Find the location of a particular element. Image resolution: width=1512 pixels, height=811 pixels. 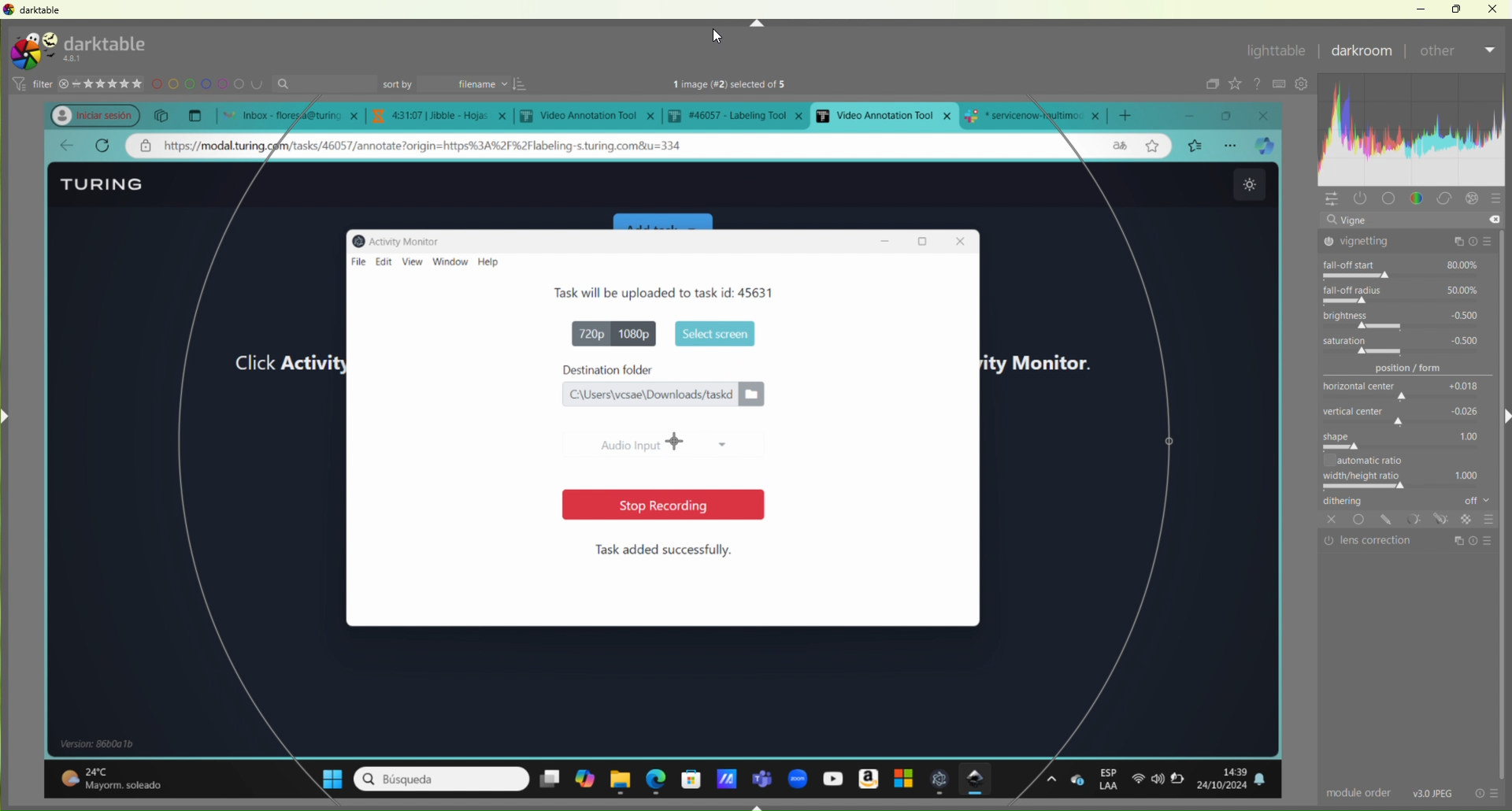

go back is located at coordinates (66, 146).